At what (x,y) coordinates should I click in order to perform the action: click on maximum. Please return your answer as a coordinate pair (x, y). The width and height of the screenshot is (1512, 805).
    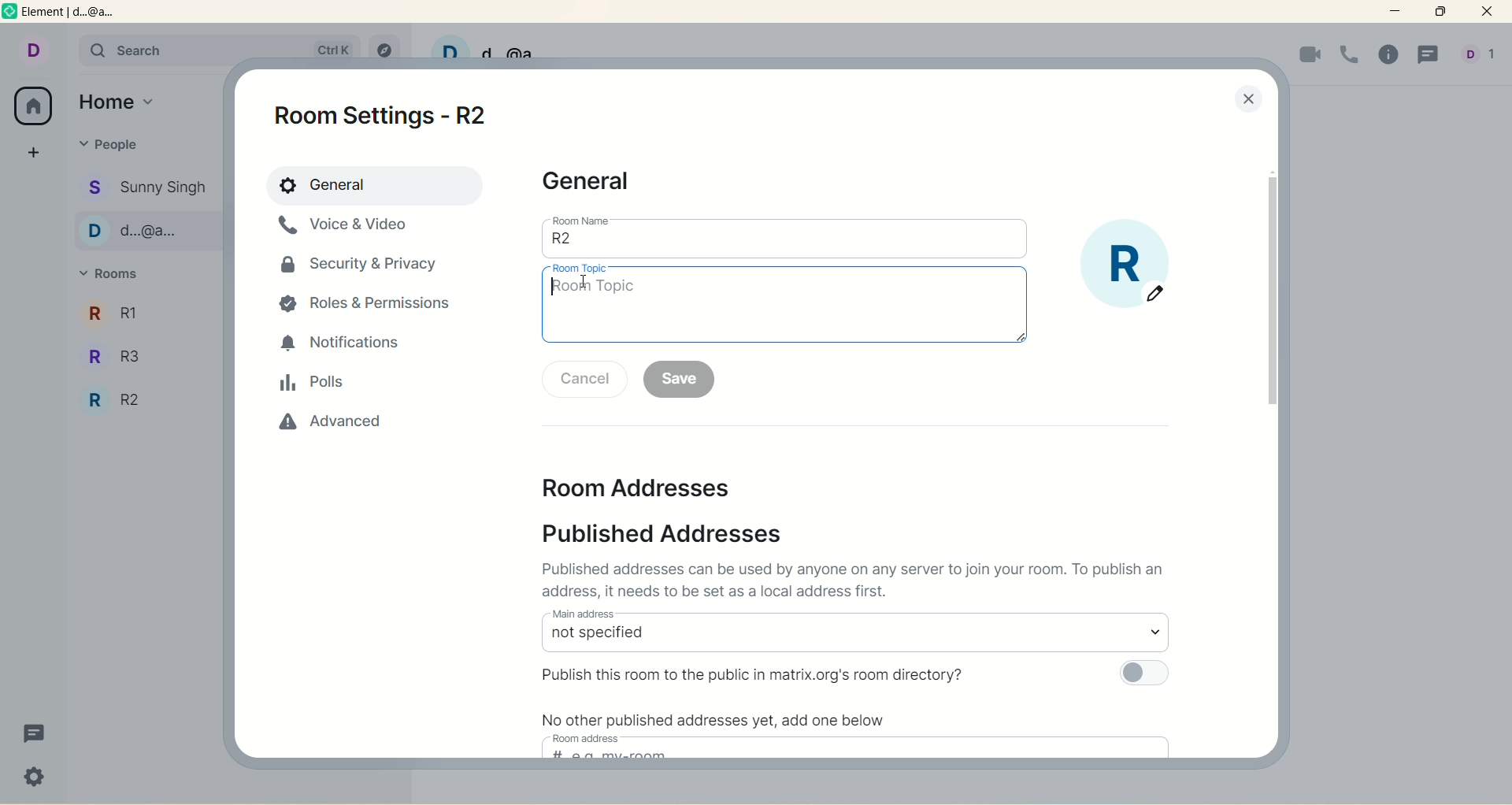
    Looking at the image, I should click on (1440, 12).